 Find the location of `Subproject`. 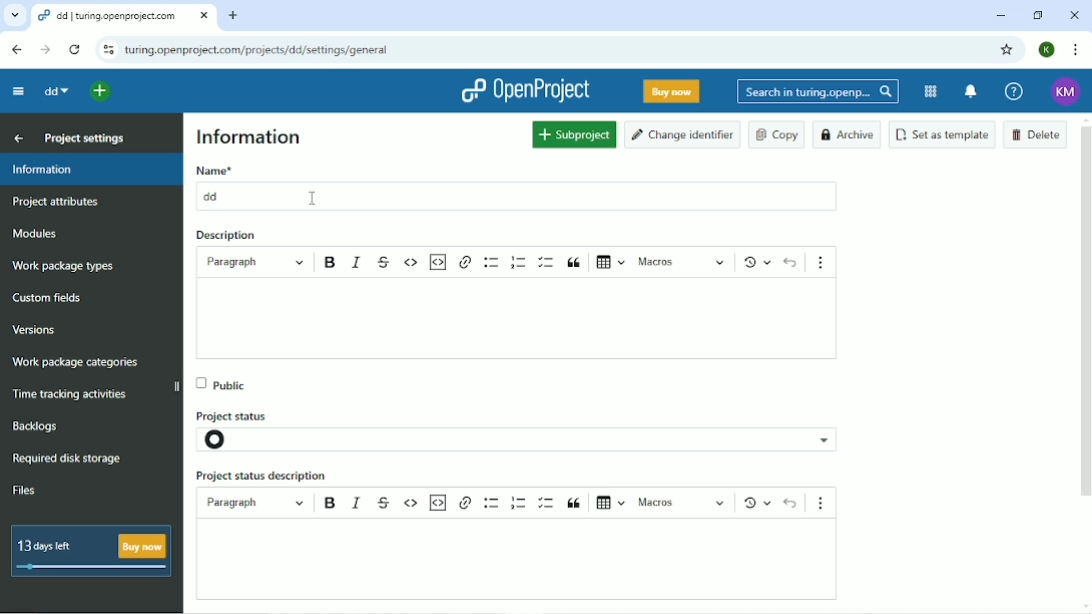

Subproject is located at coordinates (574, 134).